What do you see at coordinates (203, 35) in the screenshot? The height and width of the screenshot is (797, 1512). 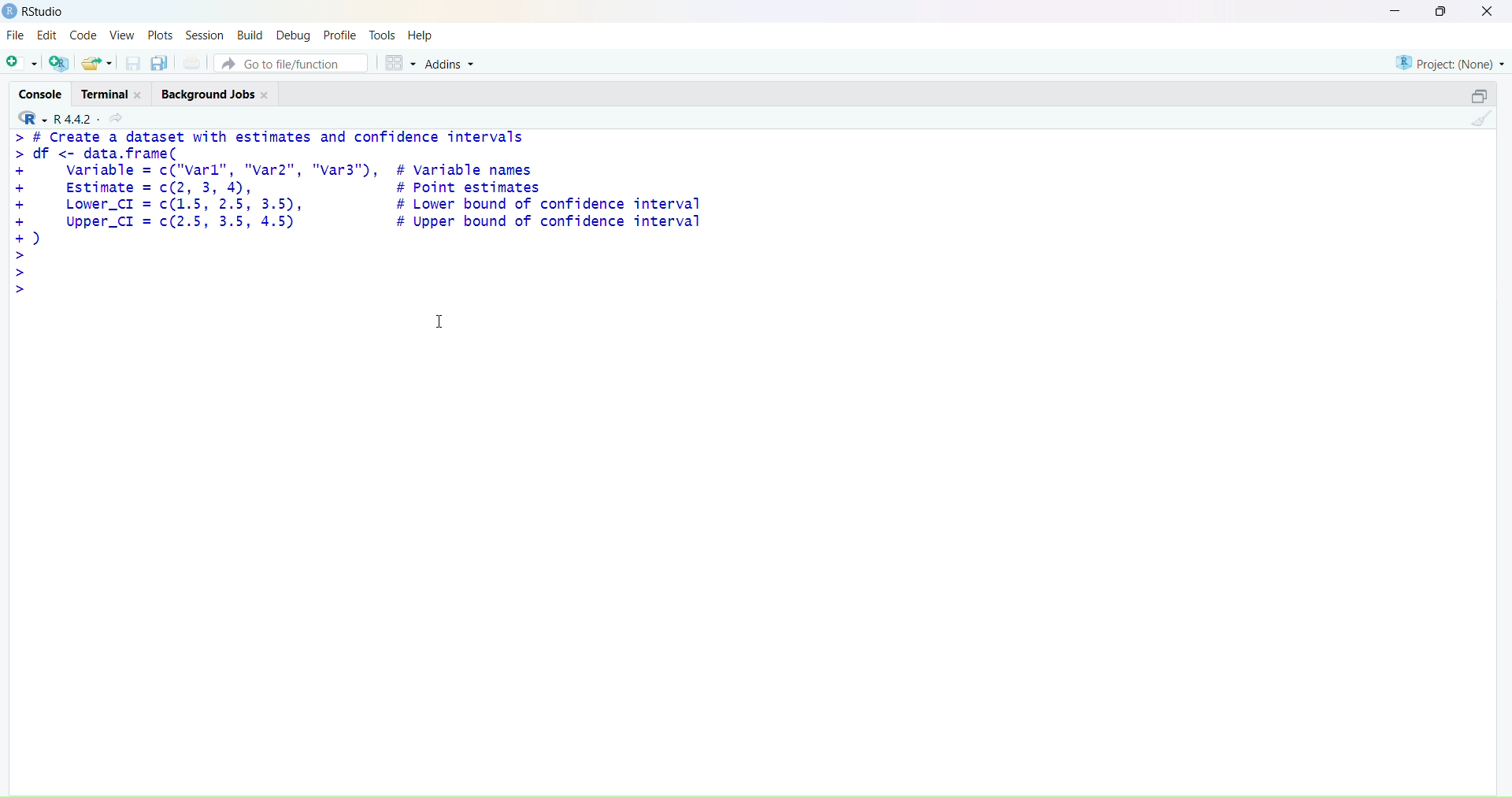 I see `Session` at bounding box center [203, 35].